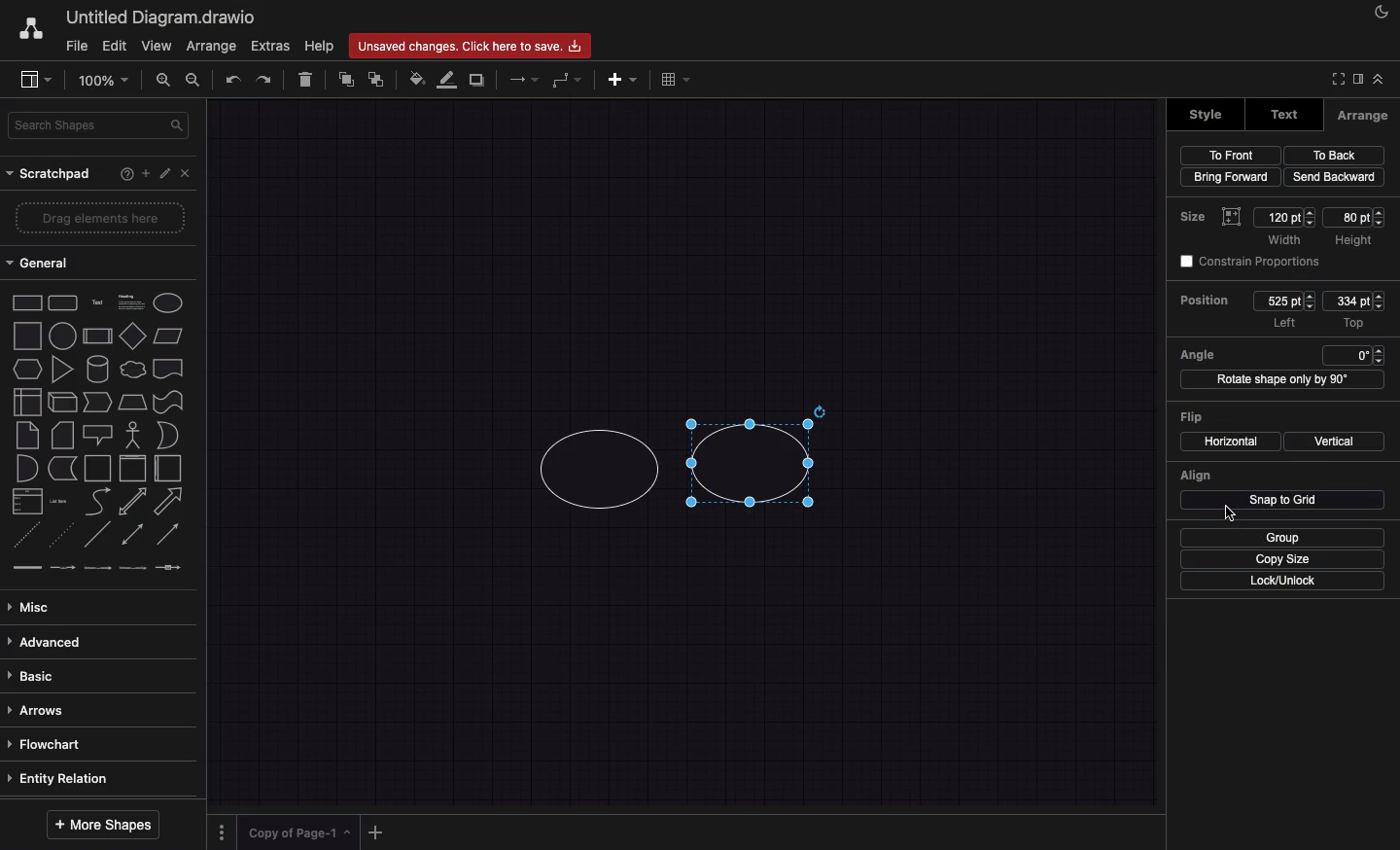  What do you see at coordinates (319, 47) in the screenshot?
I see `help` at bounding box center [319, 47].